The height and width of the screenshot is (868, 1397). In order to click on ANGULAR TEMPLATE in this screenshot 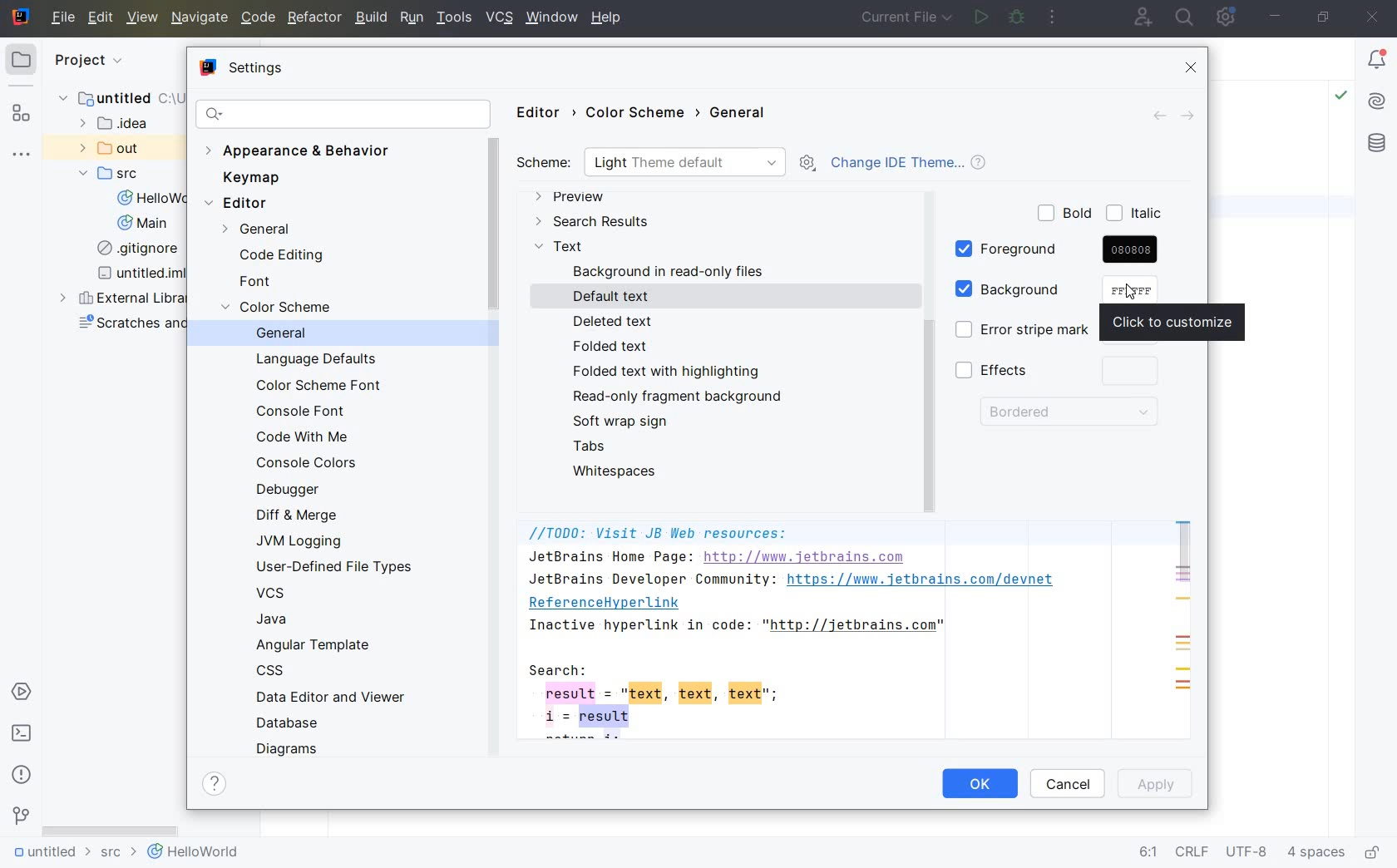, I will do `click(315, 645)`.